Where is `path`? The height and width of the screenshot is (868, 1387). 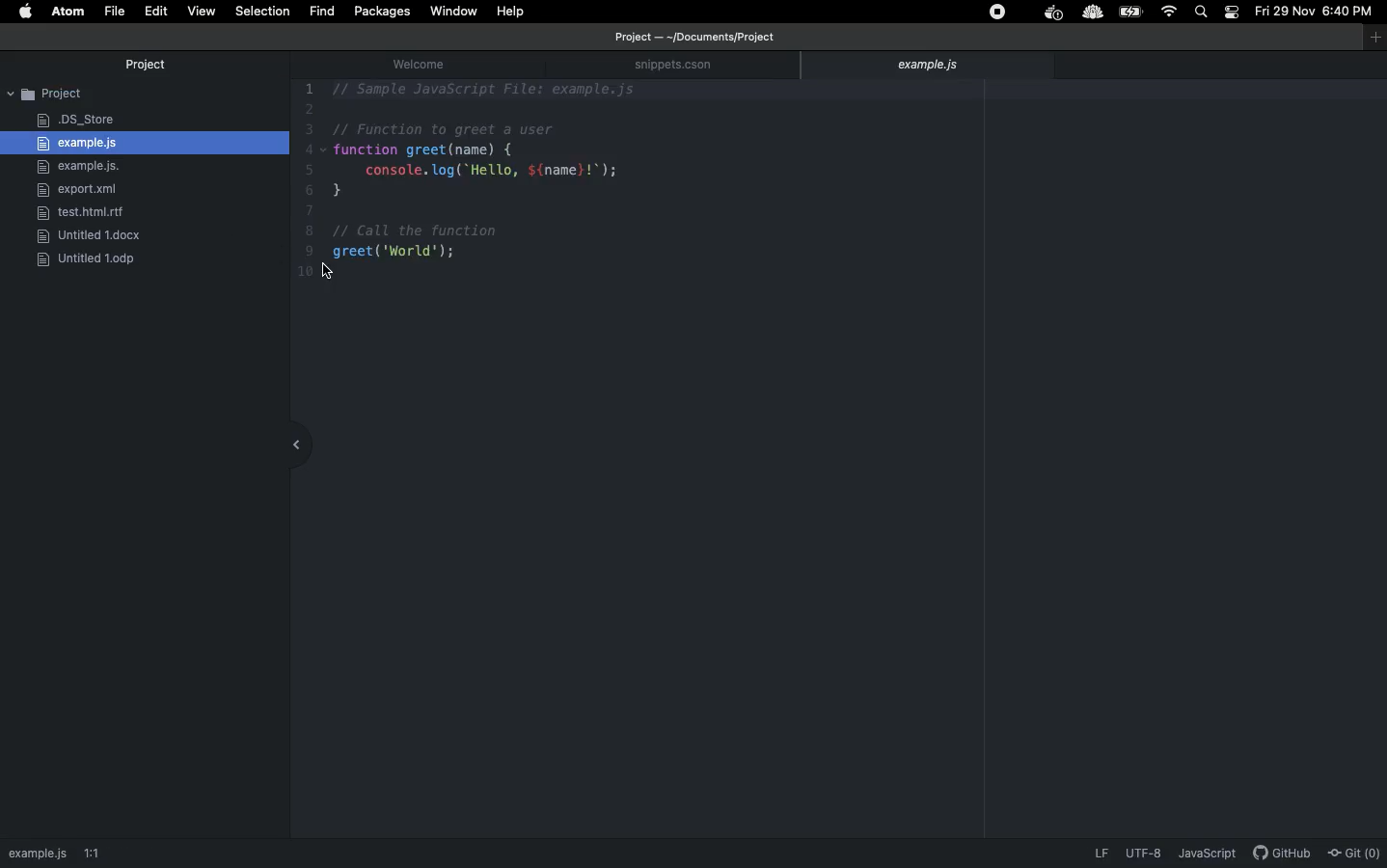 path is located at coordinates (38, 852).